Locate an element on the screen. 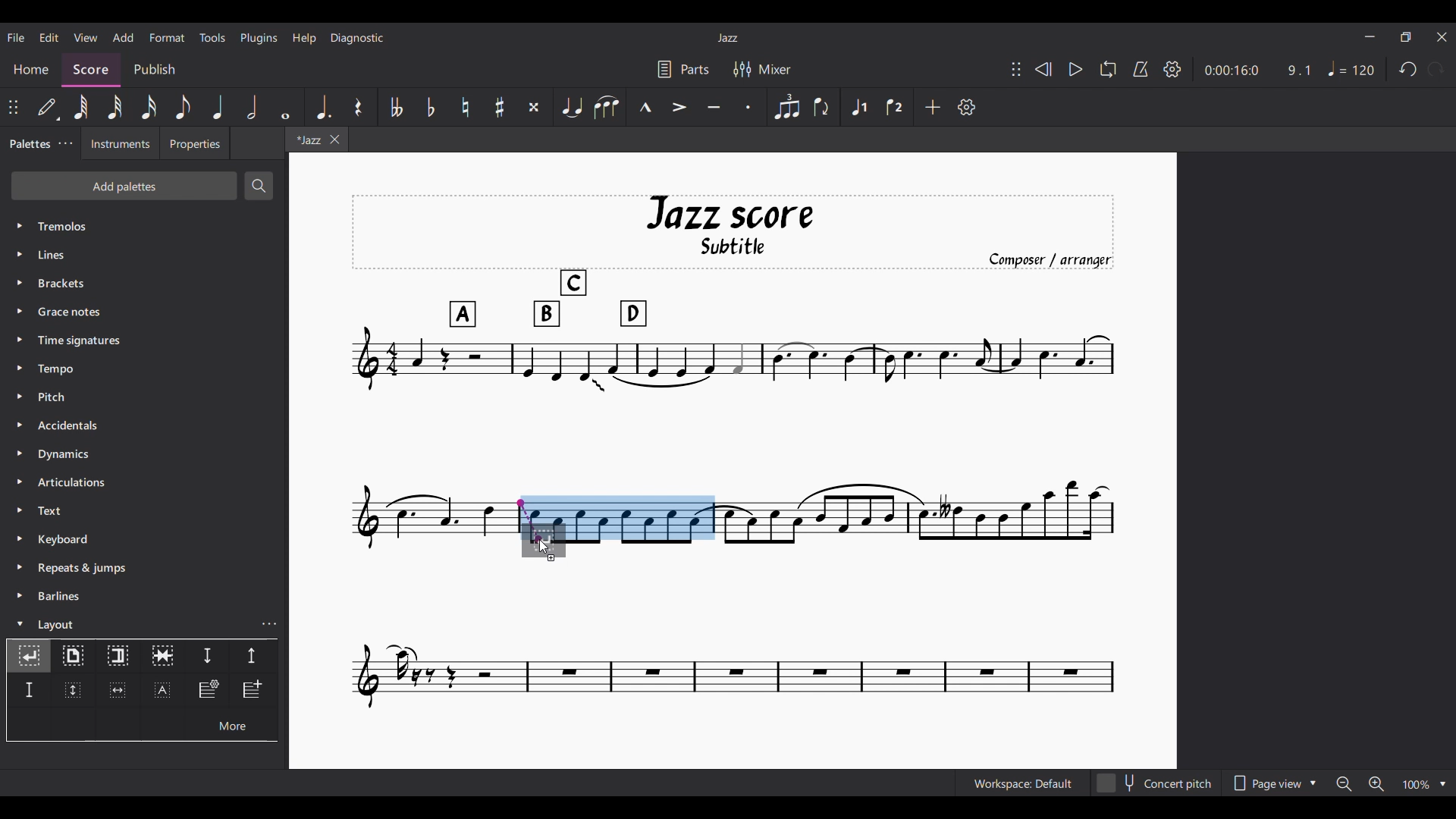 This screenshot has width=1456, height=819. Current score is located at coordinates (918, 529).